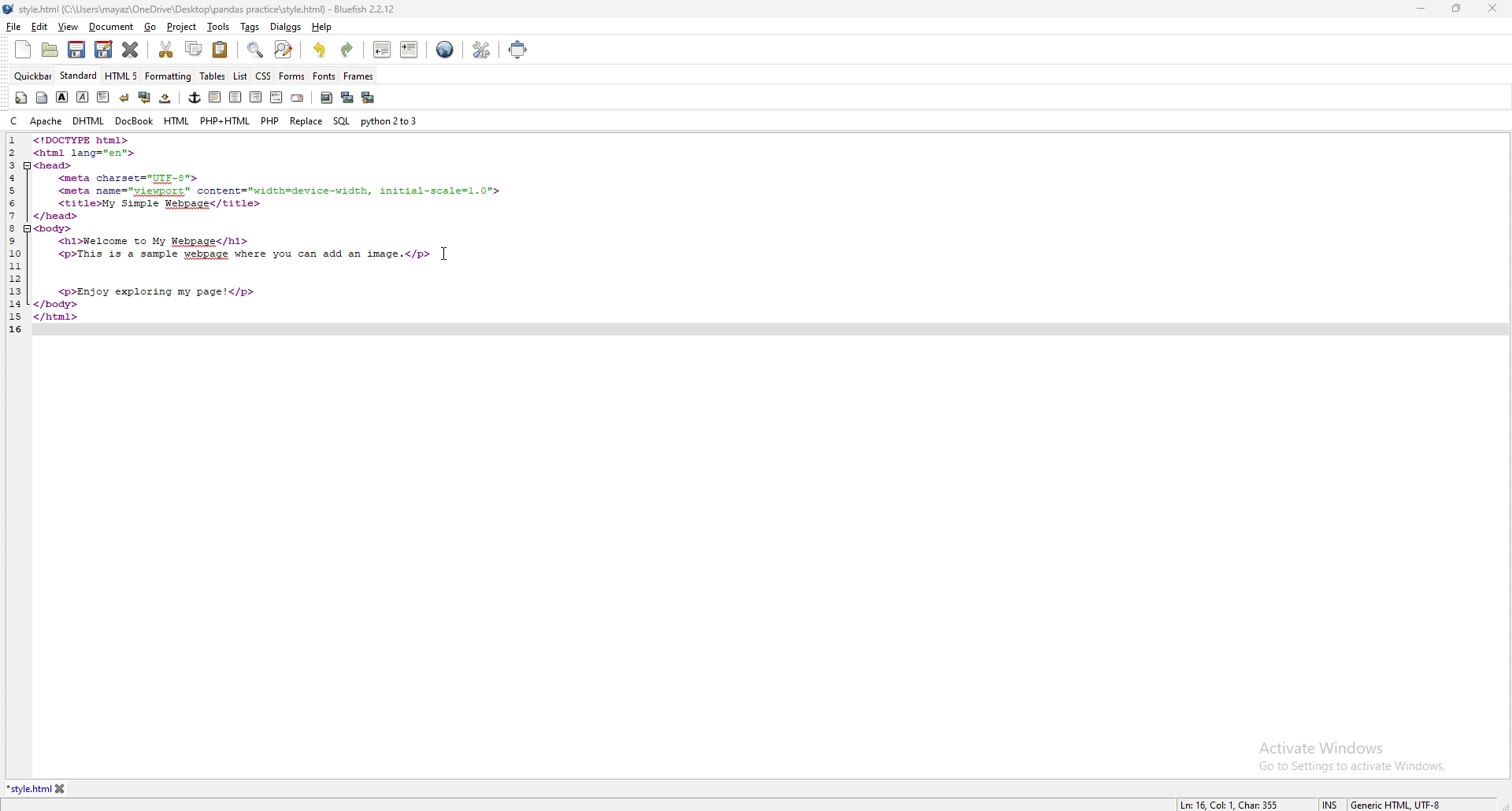  What do you see at coordinates (1399, 803) in the screenshot?
I see `Generic HTML UTF-8` at bounding box center [1399, 803].